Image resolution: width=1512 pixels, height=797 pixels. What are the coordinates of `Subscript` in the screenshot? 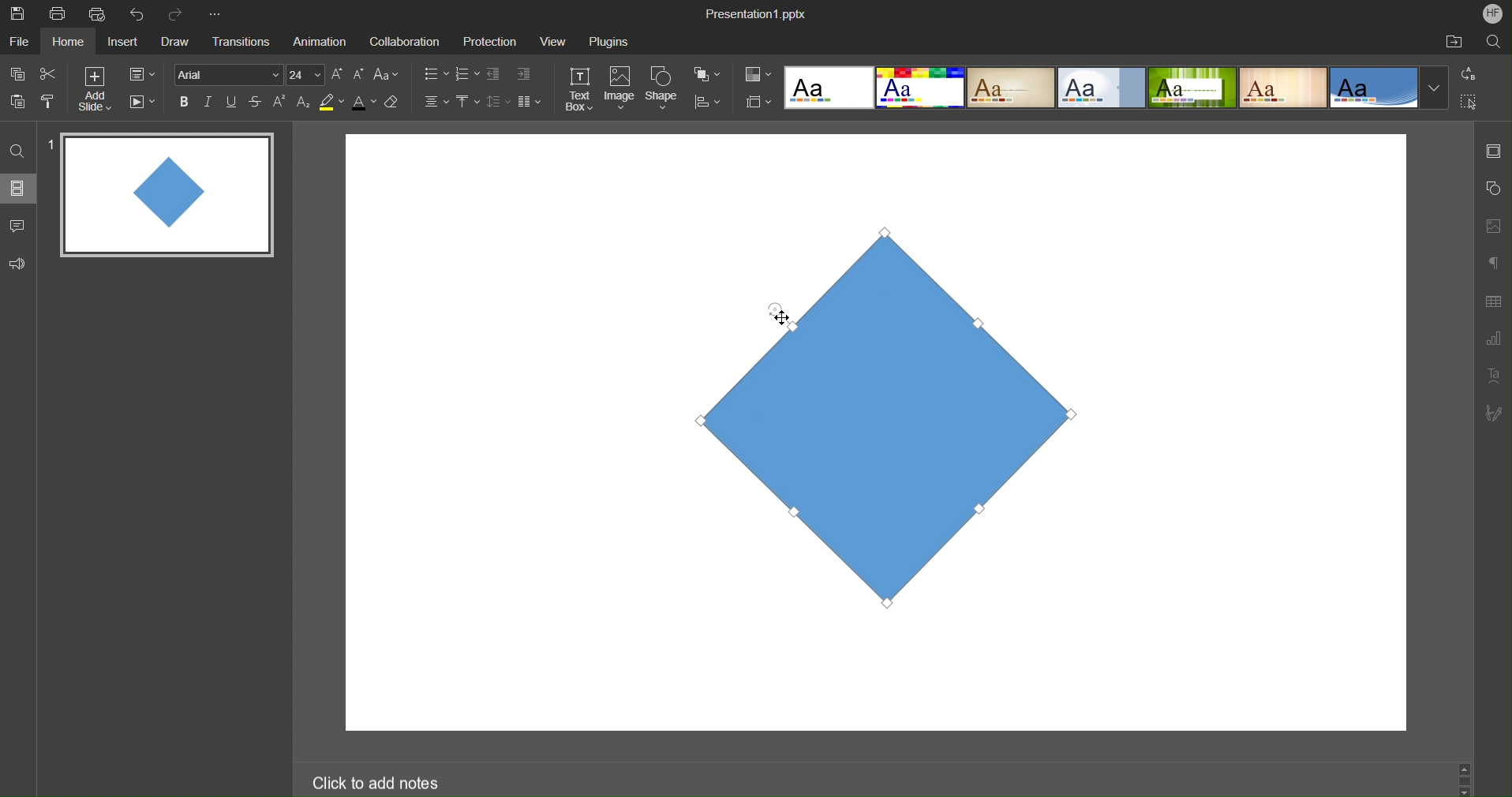 It's located at (304, 102).